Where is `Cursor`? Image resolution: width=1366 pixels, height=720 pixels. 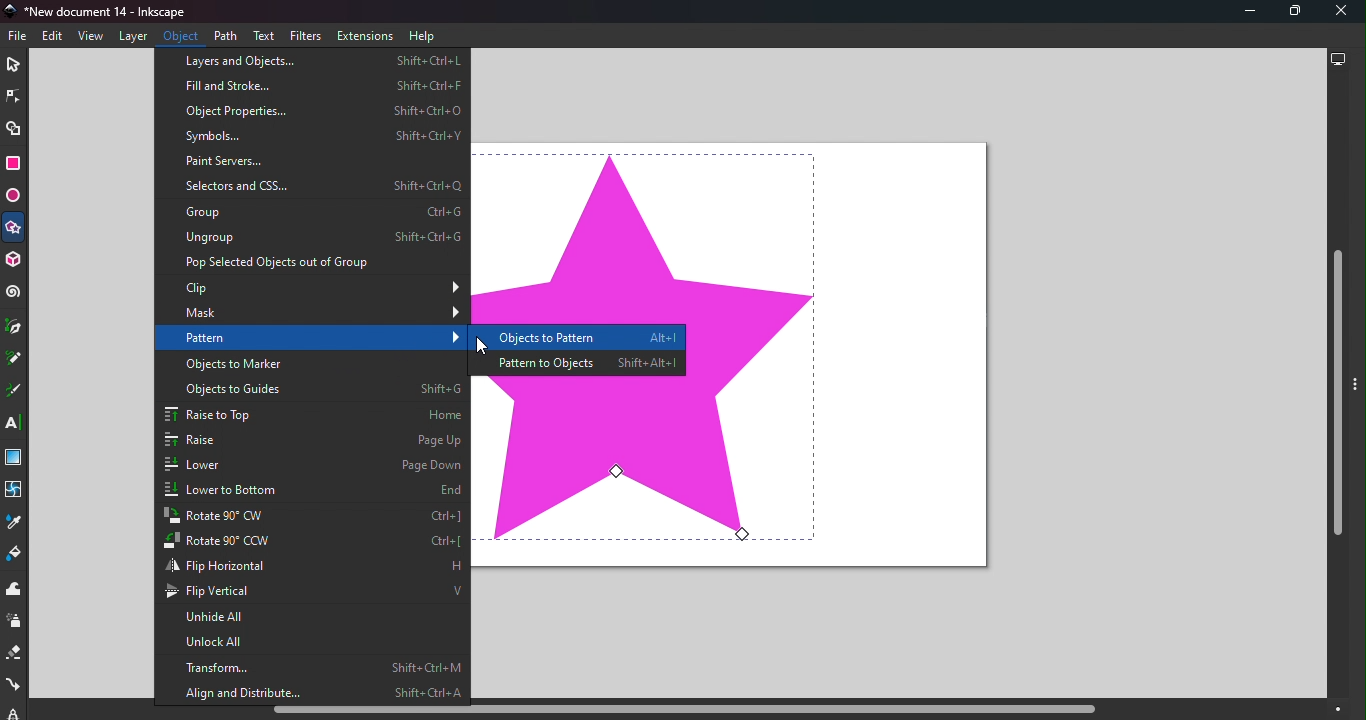 Cursor is located at coordinates (479, 350).